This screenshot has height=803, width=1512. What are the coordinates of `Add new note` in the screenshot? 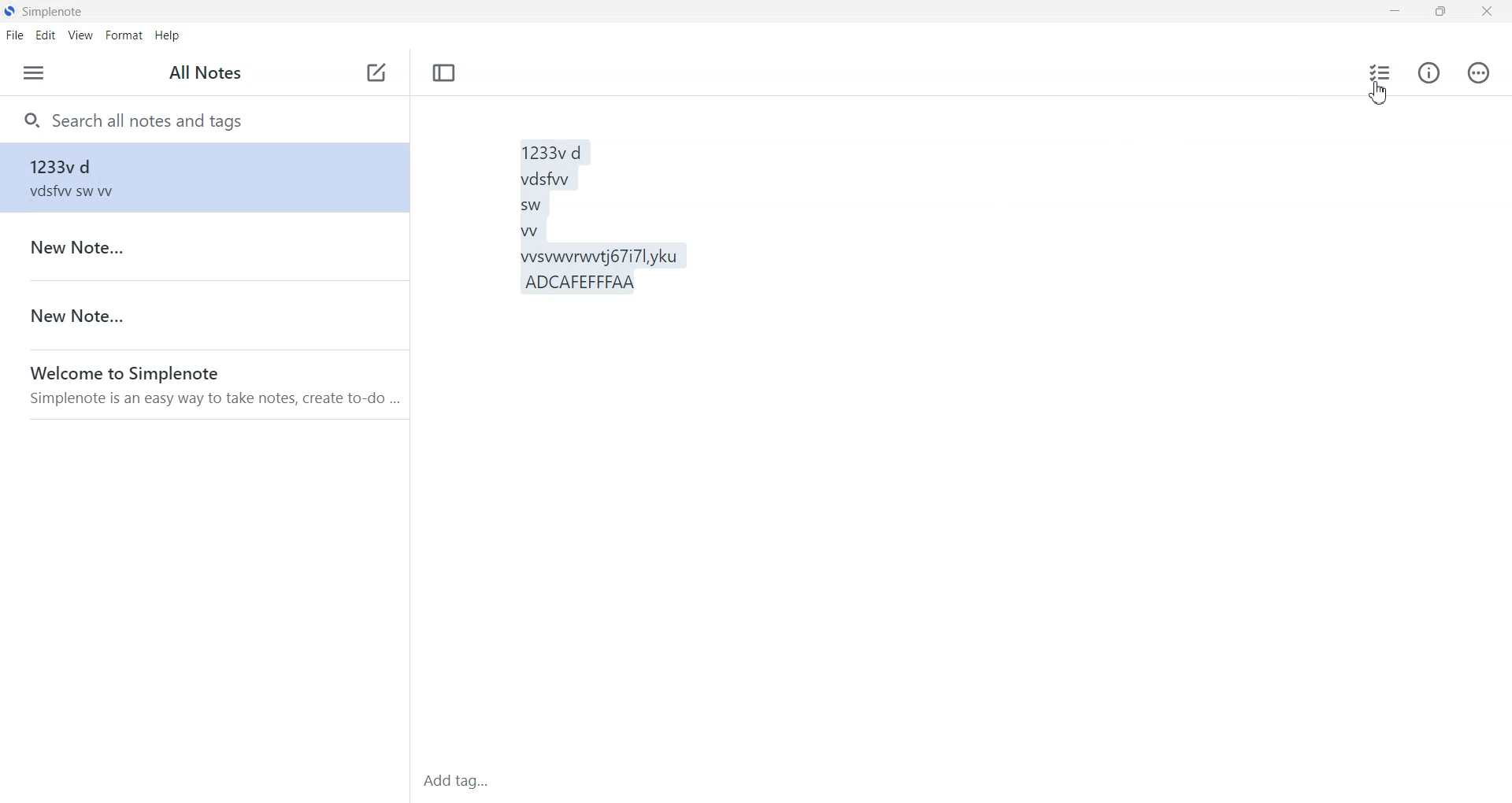 It's located at (376, 72).